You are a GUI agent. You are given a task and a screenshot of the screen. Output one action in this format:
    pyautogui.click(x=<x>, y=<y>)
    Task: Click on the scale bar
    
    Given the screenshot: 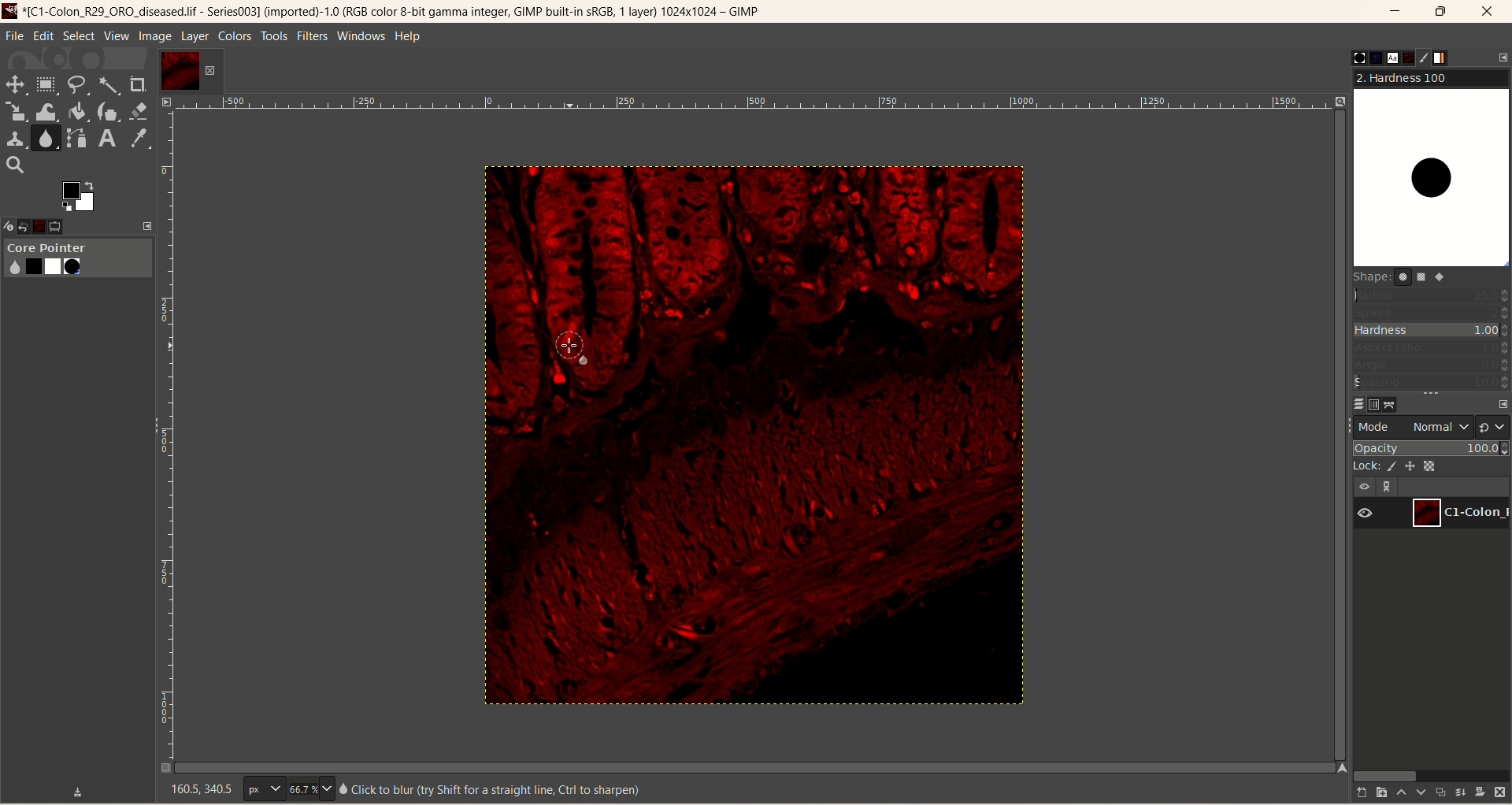 What is the action you would take?
    pyautogui.click(x=165, y=440)
    